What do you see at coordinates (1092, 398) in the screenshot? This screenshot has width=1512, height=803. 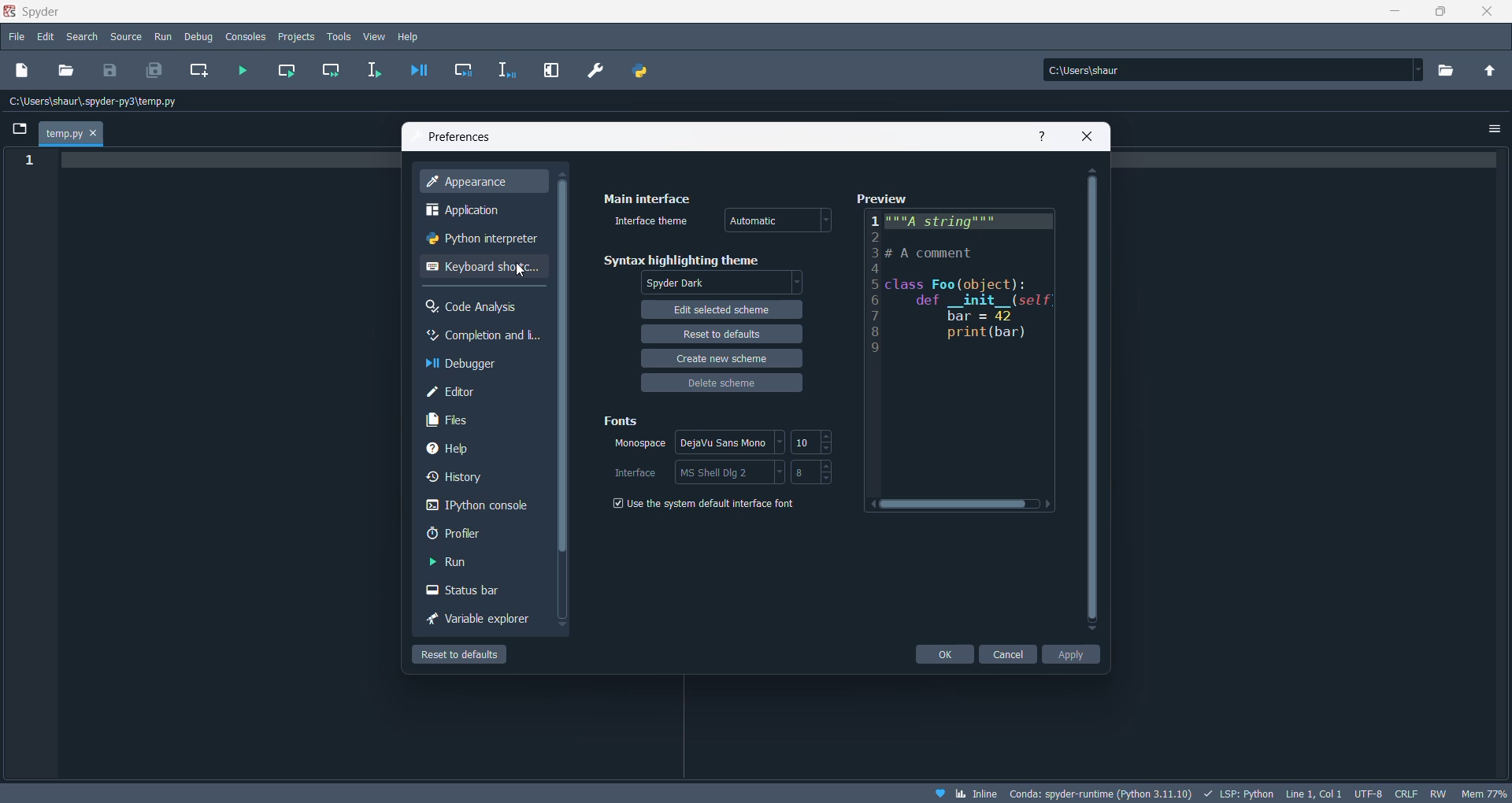 I see `scrollbar` at bounding box center [1092, 398].